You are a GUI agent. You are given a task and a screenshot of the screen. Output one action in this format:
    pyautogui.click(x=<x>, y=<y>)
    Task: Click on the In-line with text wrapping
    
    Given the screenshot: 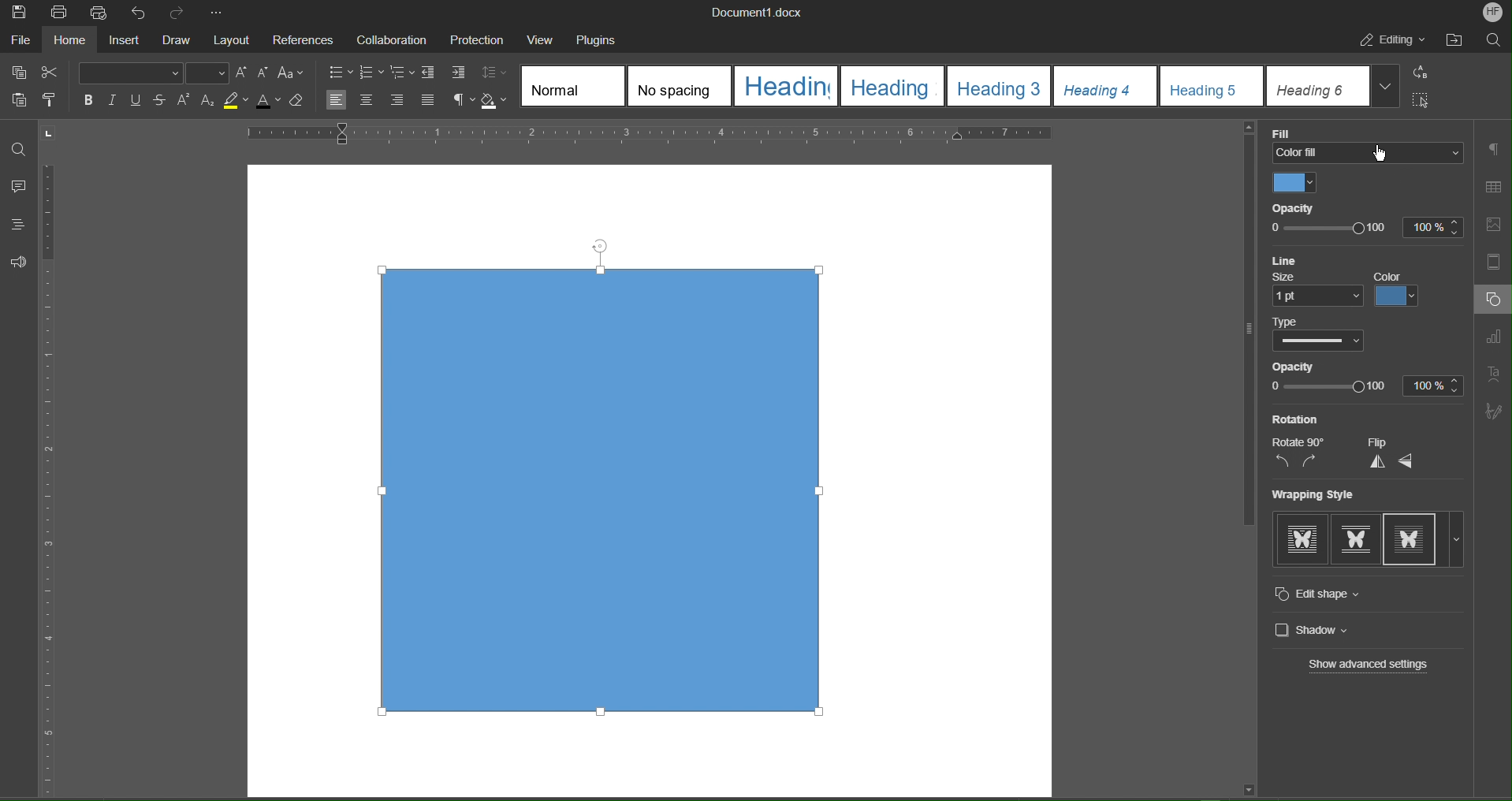 What is the action you would take?
    pyautogui.click(x=1302, y=543)
    